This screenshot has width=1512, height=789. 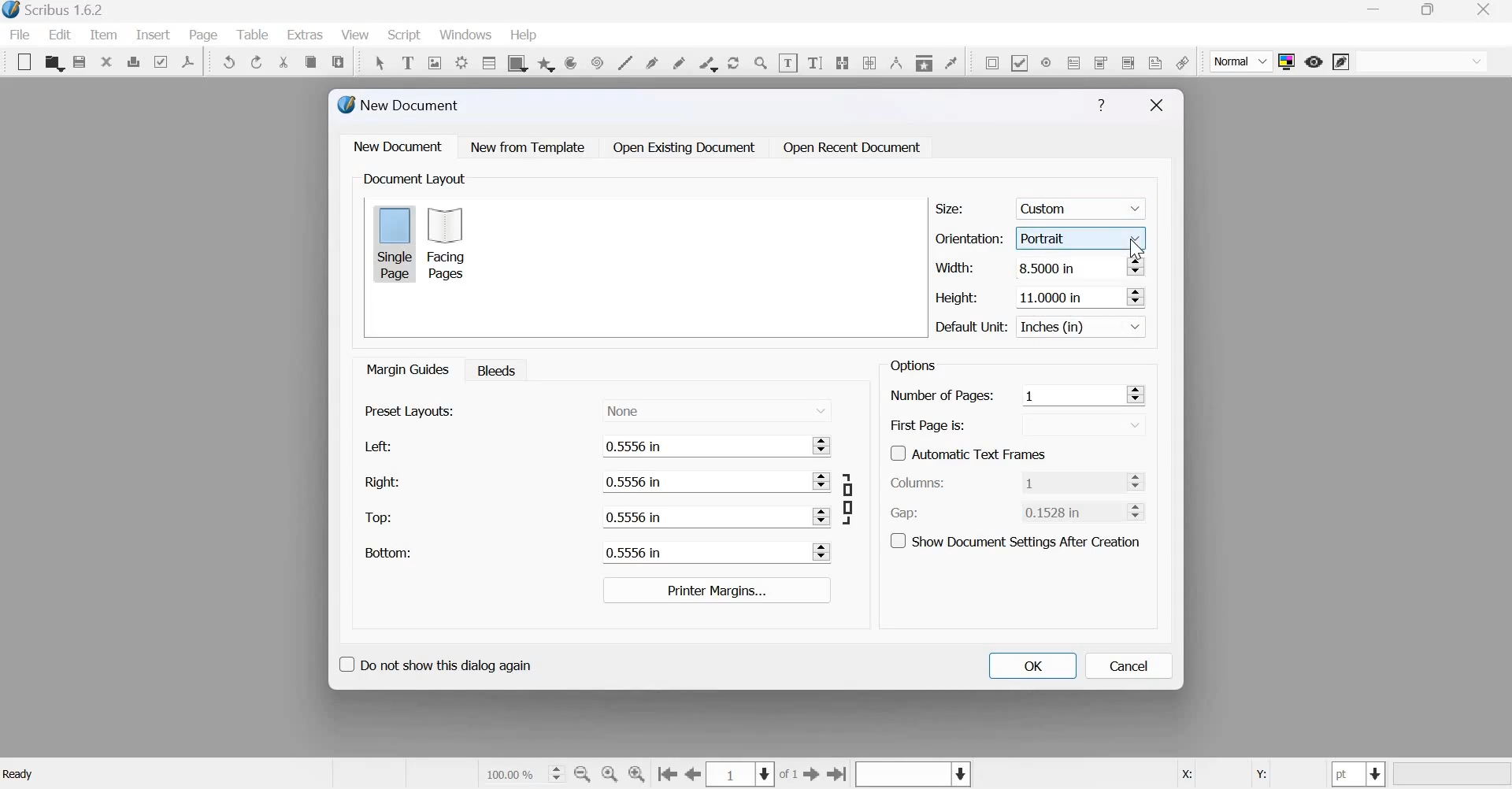 What do you see at coordinates (1138, 249) in the screenshot?
I see `cursor` at bounding box center [1138, 249].